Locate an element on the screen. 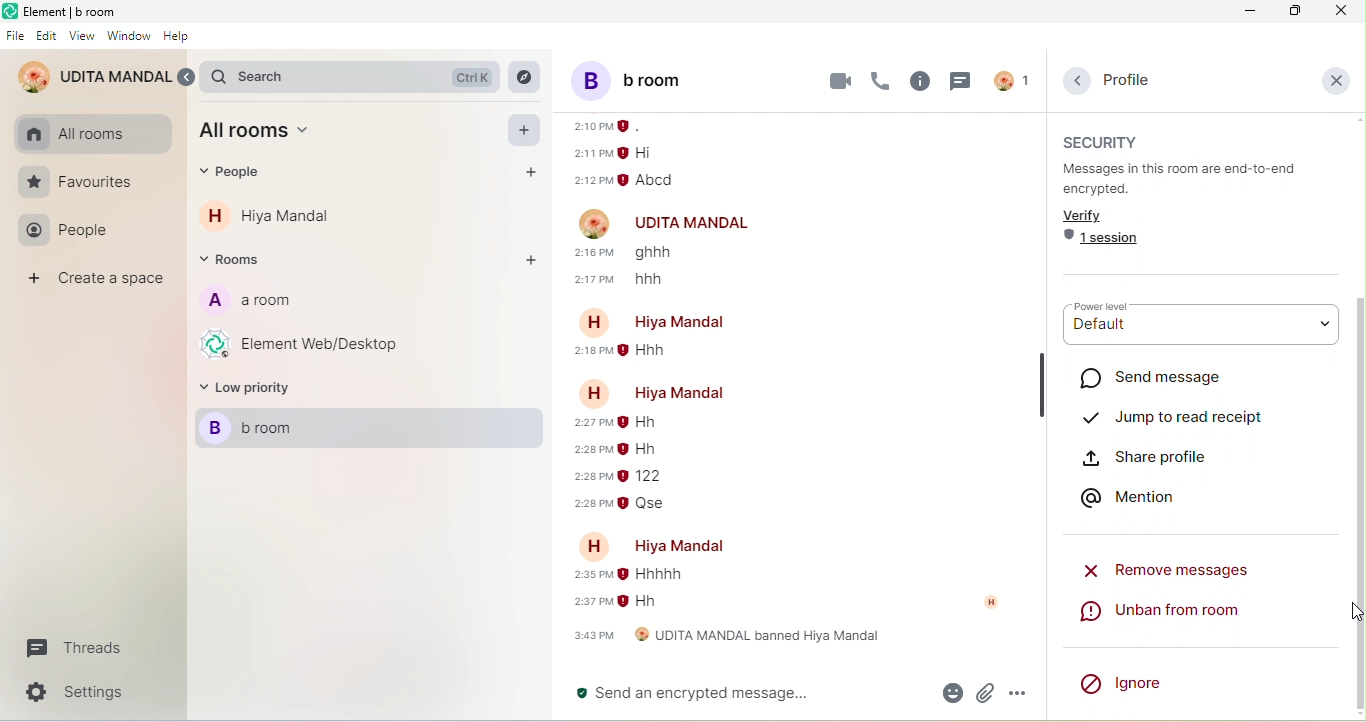  udita mandal banned hiya mandal is located at coordinates (725, 639).